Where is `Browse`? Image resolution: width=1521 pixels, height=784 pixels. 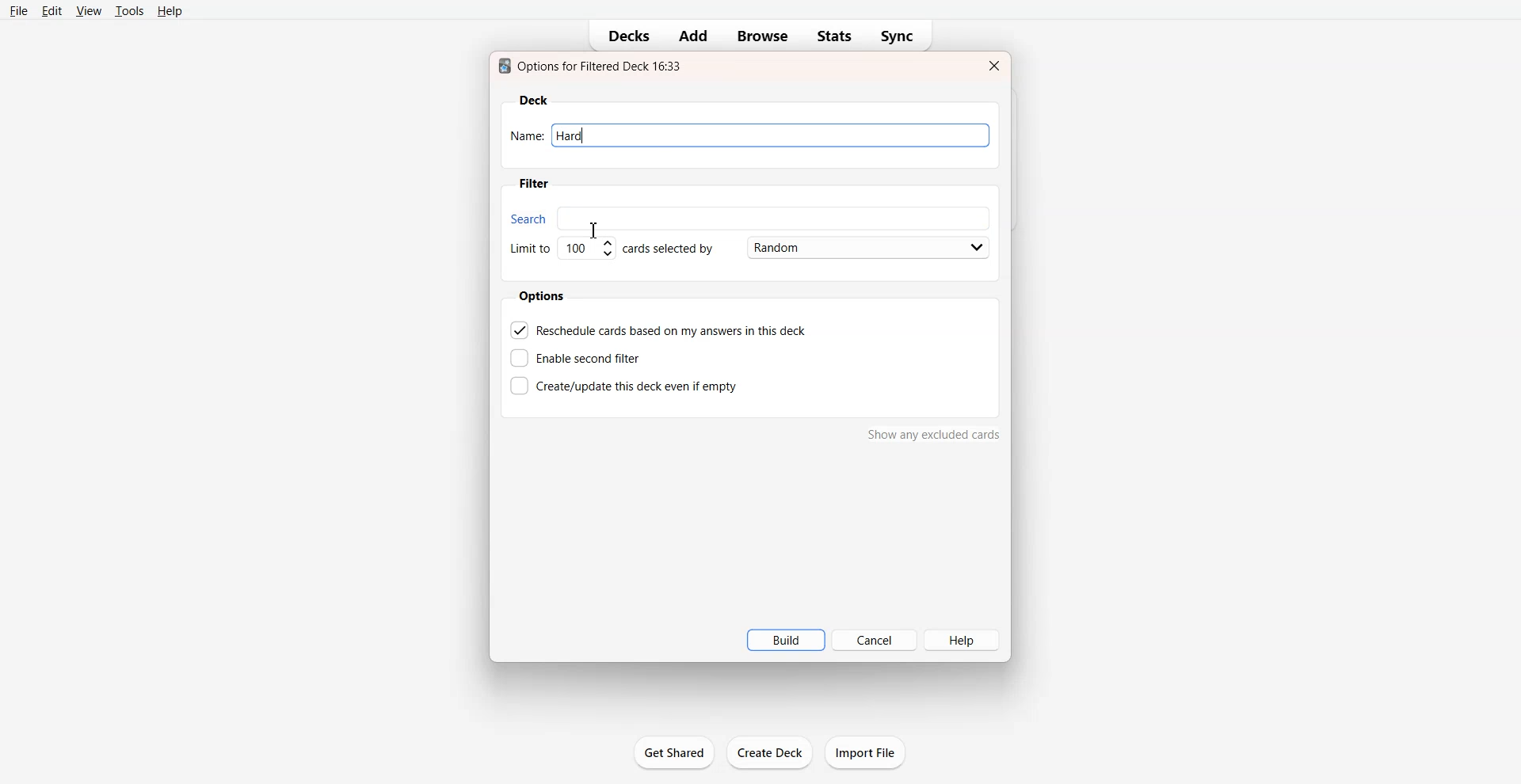 Browse is located at coordinates (764, 36).